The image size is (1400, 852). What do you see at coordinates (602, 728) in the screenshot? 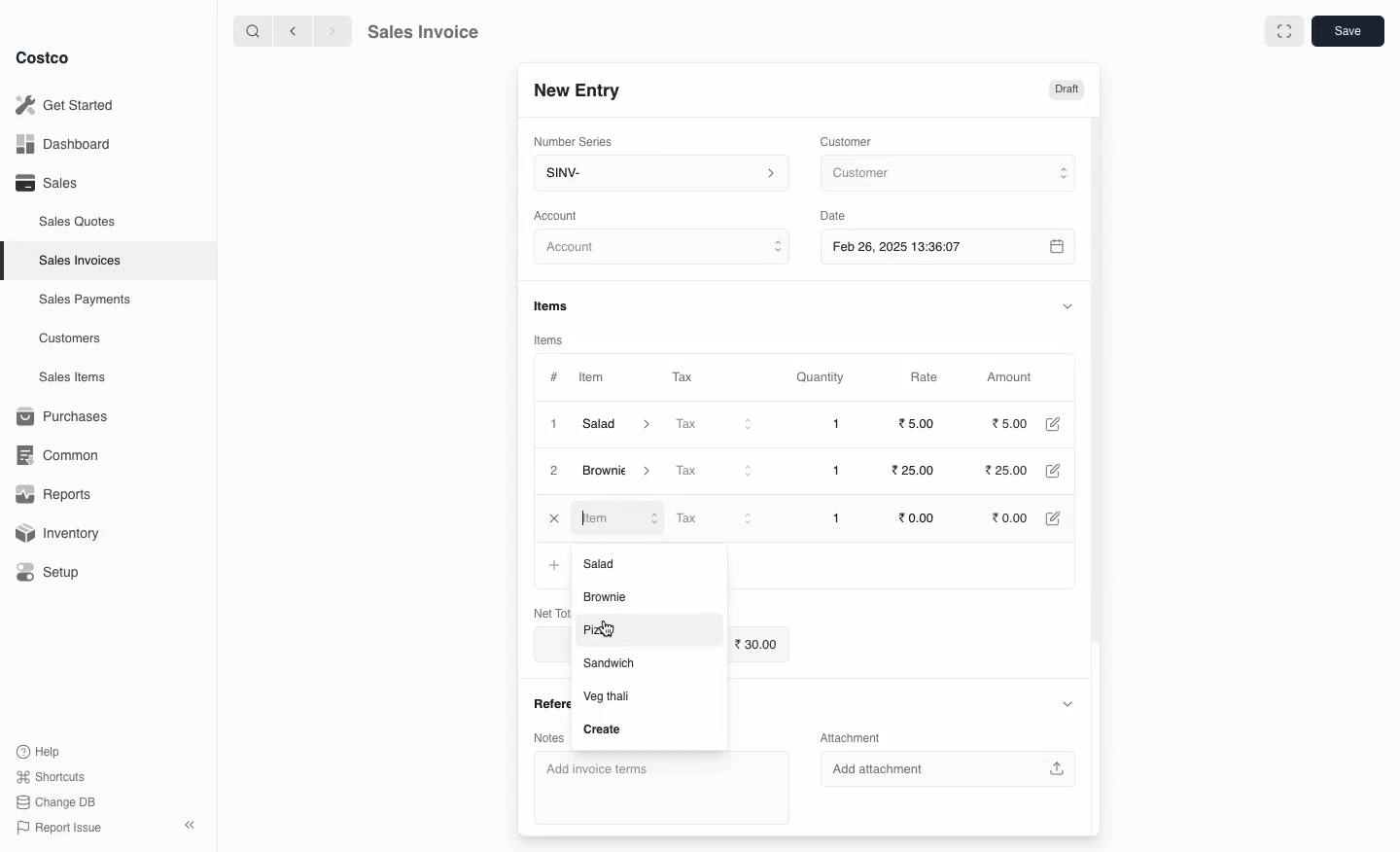
I see `Create` at bounding box center [602, 728].